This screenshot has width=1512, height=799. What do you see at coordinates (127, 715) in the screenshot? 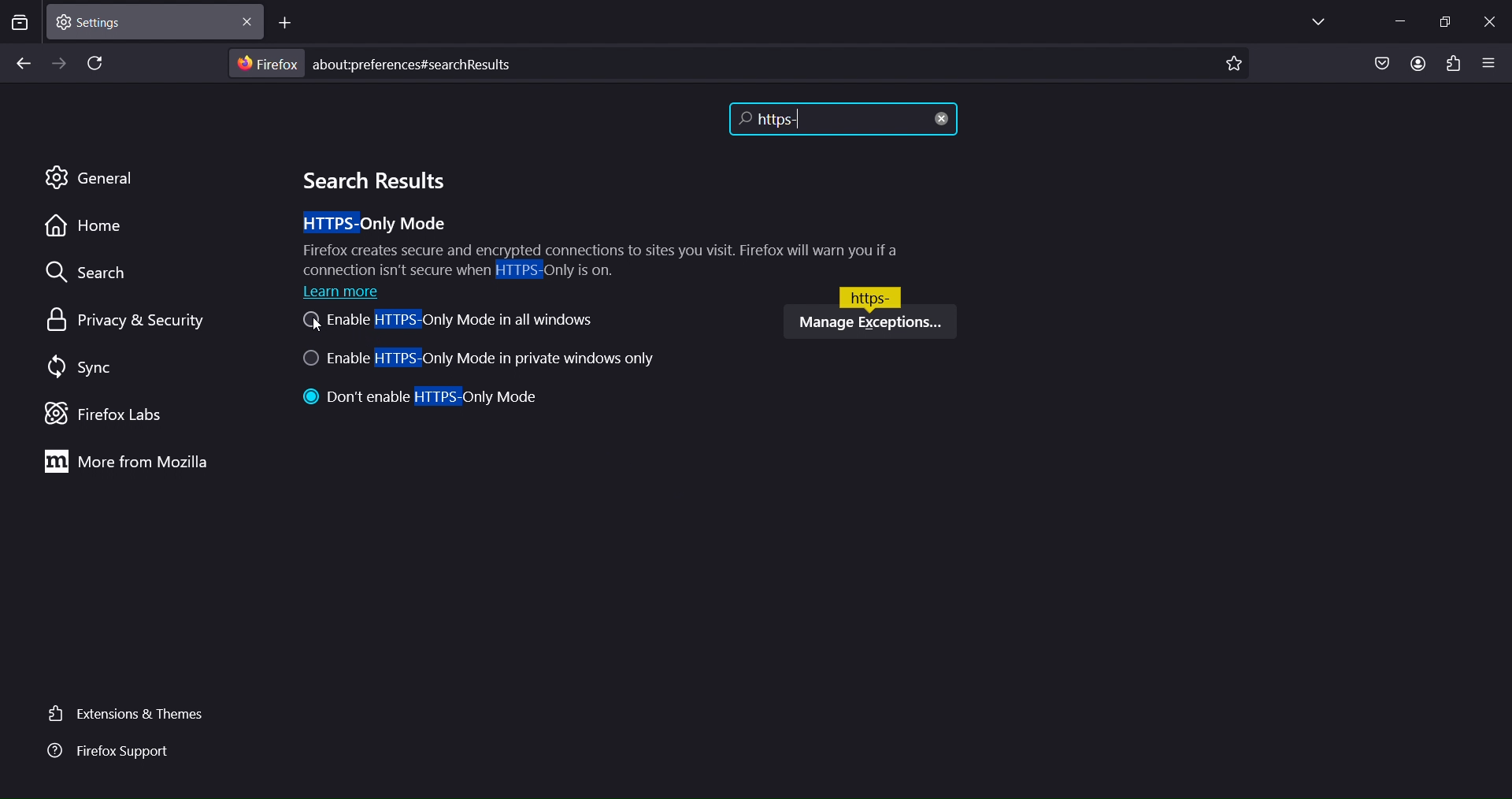
I see `extensions & themes` at bounding box center [127, 715].